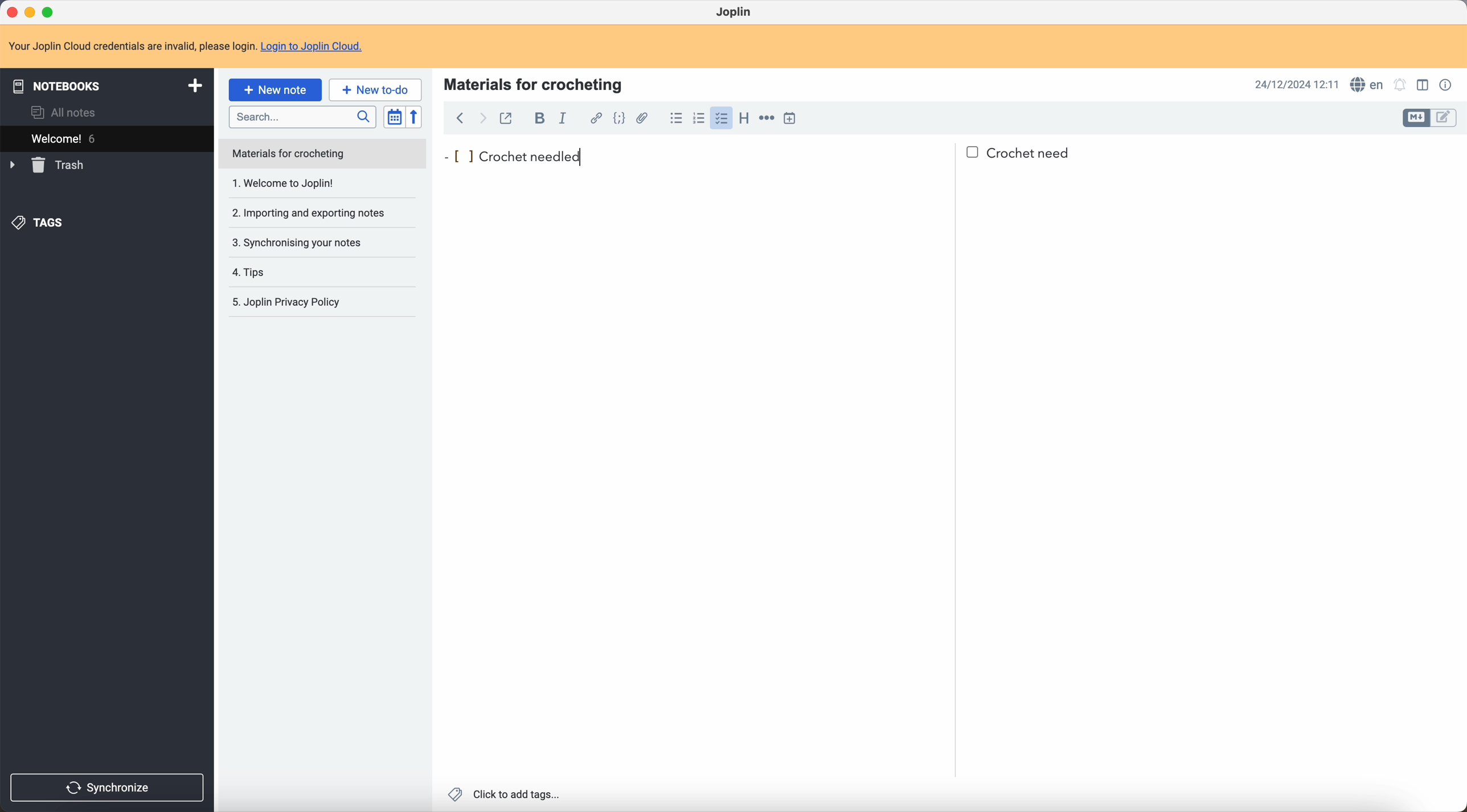 The image size is (1467, 812). I want to click on italic, so click(565, 118).